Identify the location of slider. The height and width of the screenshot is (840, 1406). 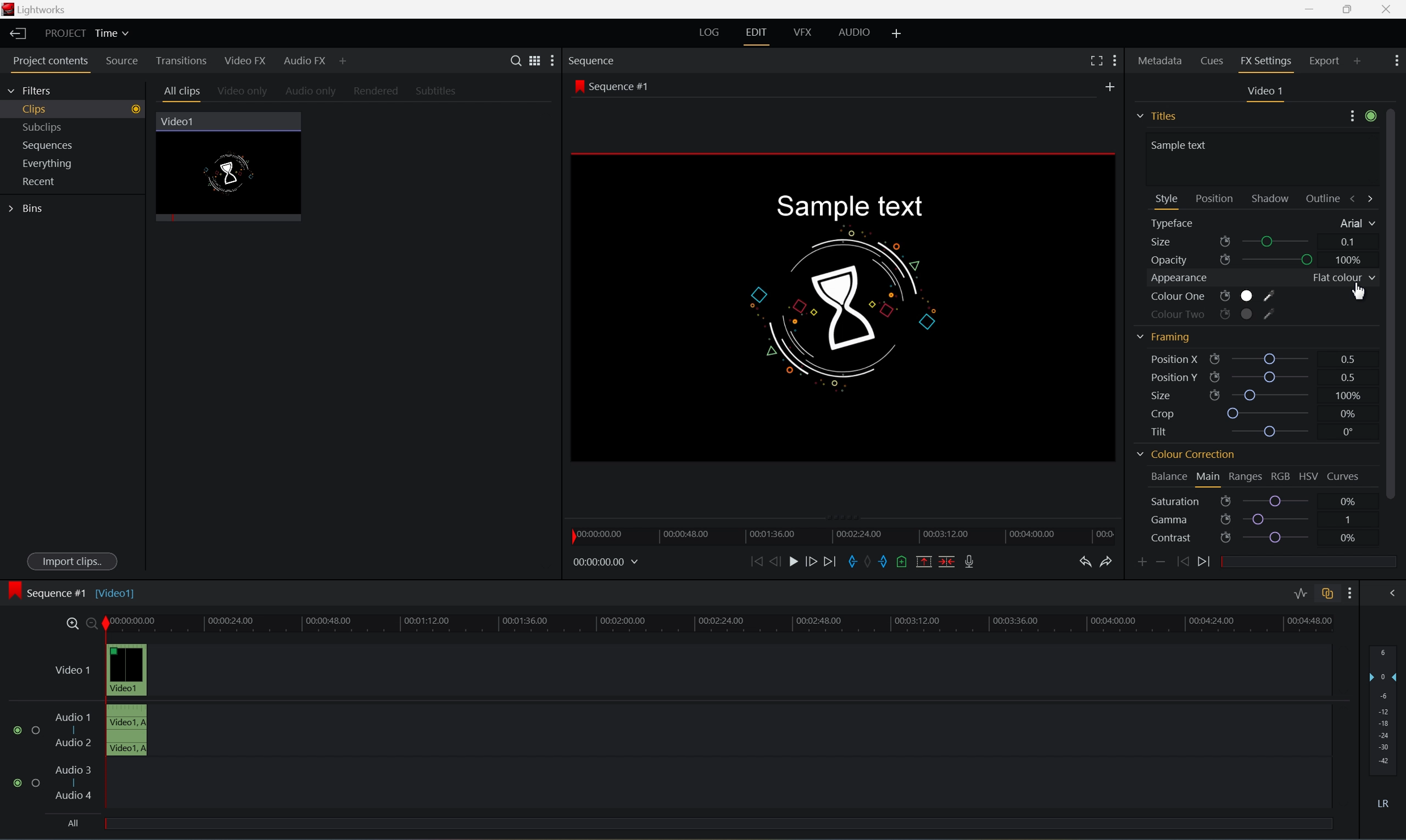
(1273, 357).